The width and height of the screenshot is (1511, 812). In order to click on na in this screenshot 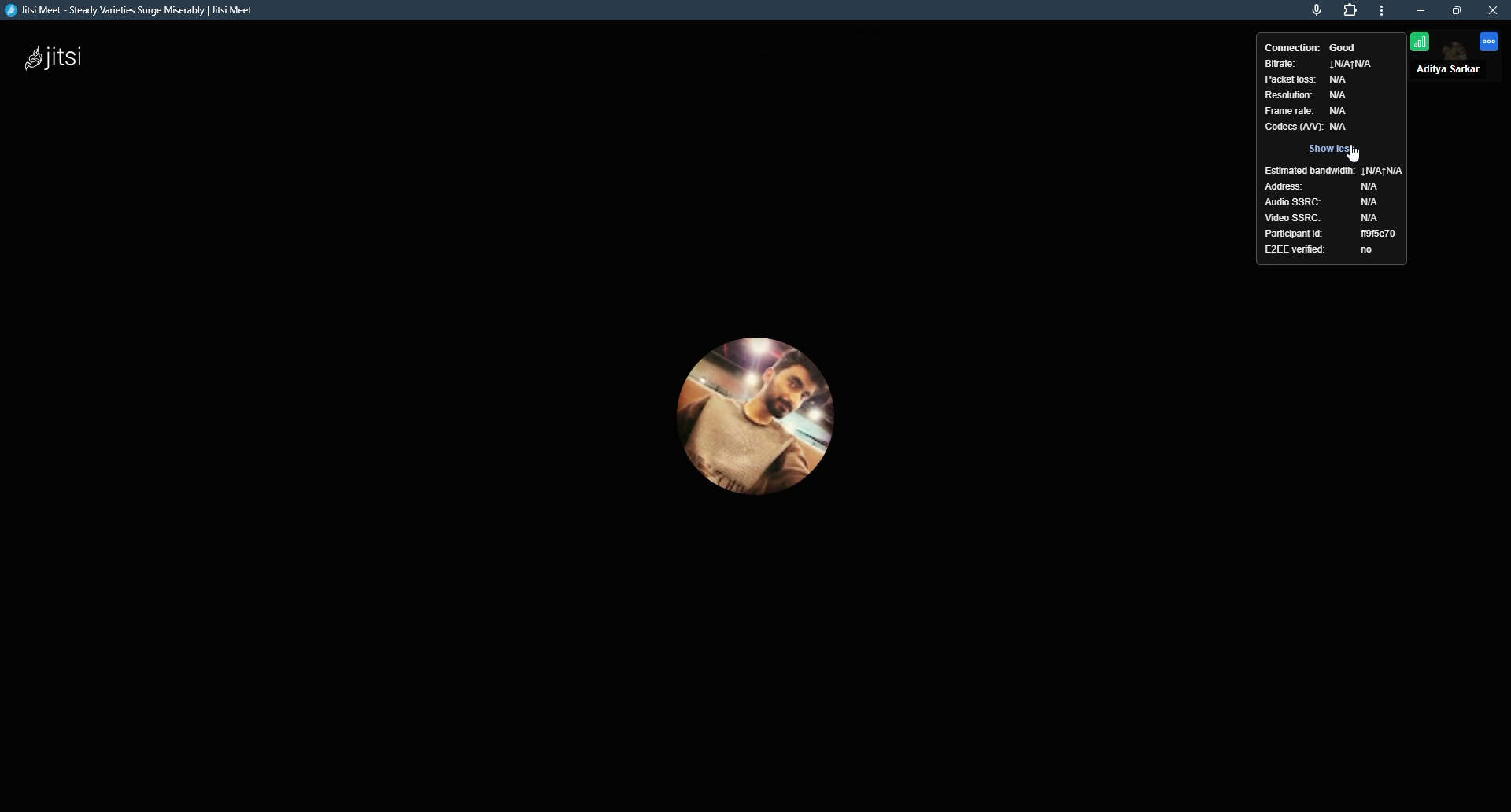, I will do `click(1337, 113)`.